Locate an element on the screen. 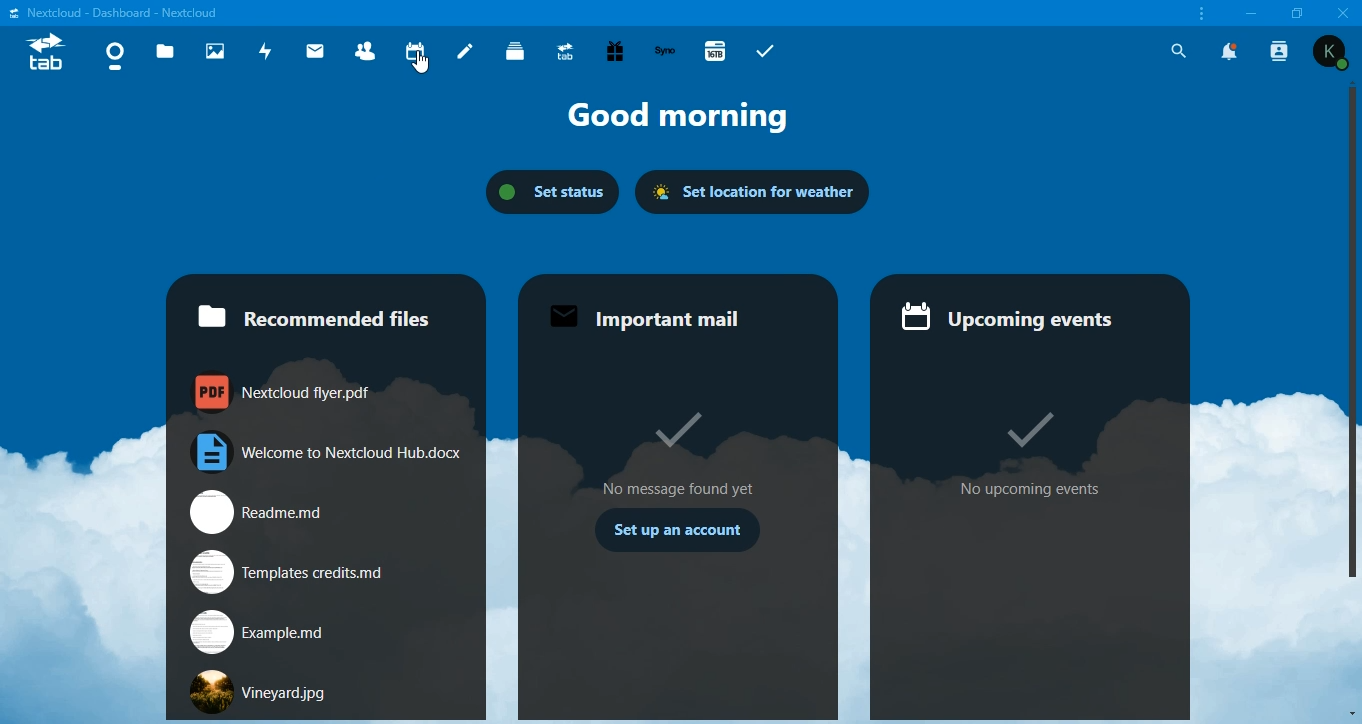  tasks is located at coordinates (770, 49).